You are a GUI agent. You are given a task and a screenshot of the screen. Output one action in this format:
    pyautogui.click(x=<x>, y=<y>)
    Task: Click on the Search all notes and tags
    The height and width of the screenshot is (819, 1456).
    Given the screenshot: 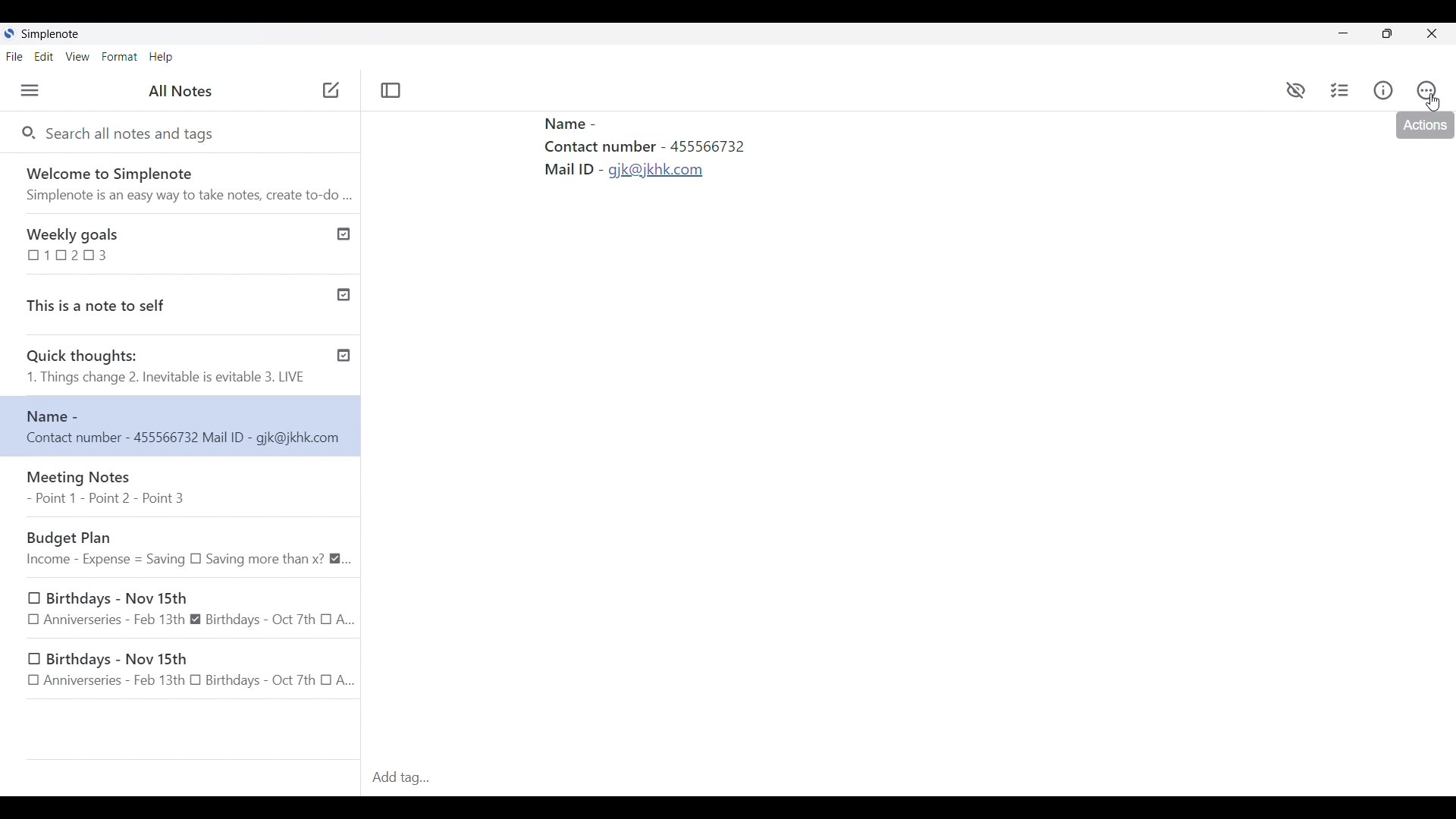 What is the action you would take?
    pyautogui.click(x=136, y=134)
    